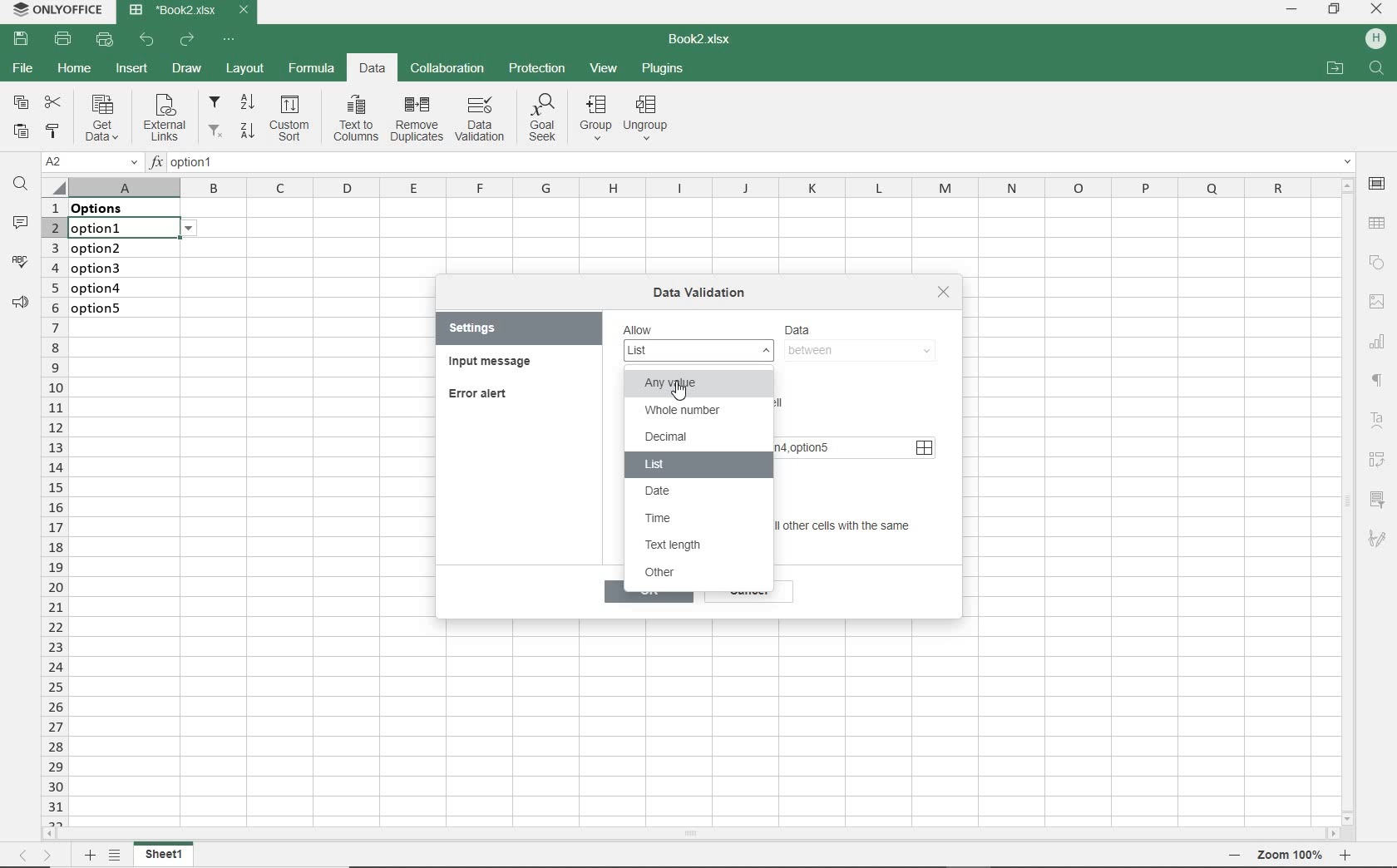 This screenshot has height=868, width=1397. I want to click on COLLABORATION, so click(448, 67).